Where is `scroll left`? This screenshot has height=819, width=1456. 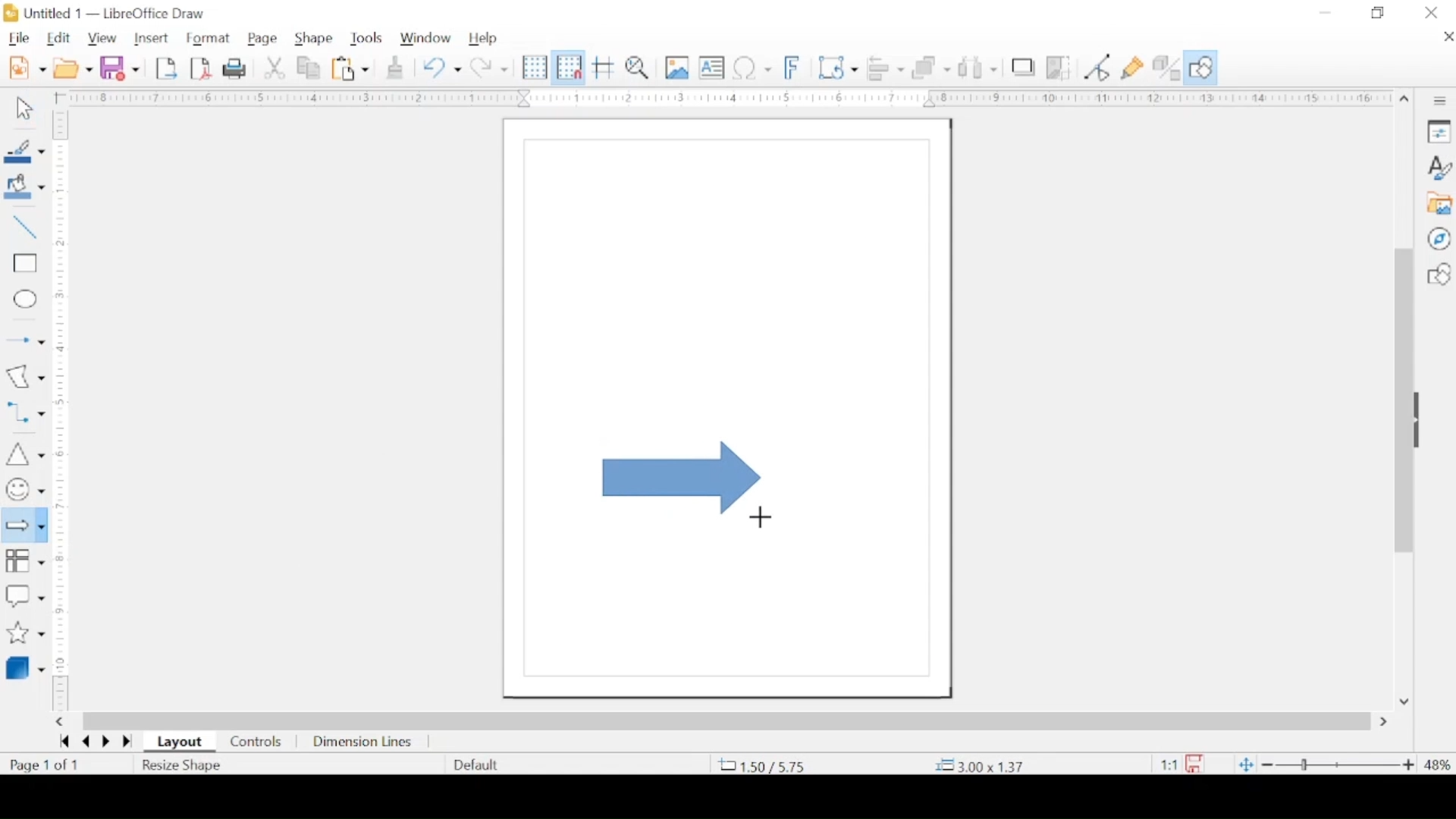 scroll left is located at coordinates (58, 722).